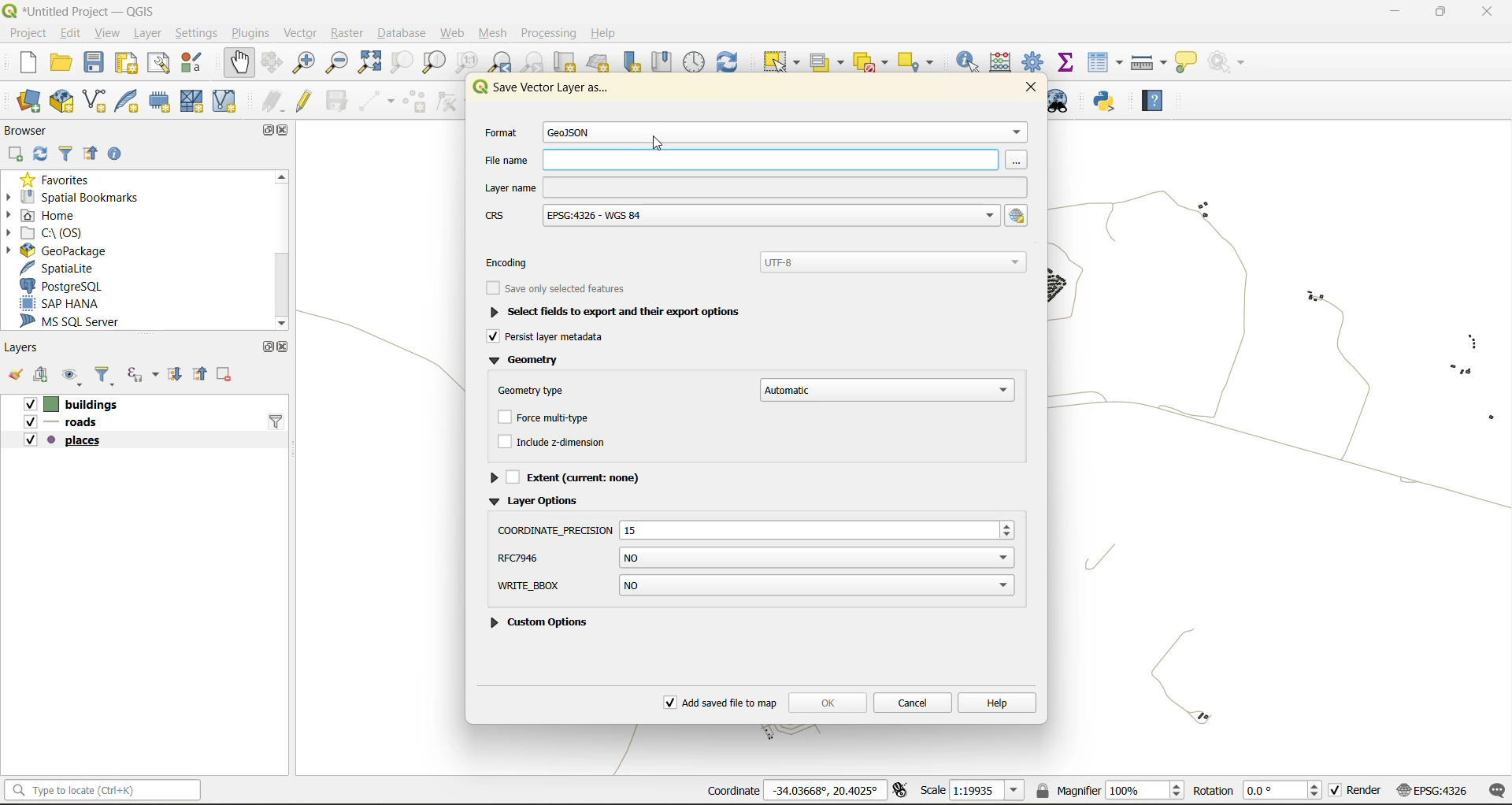 The width and height of the screenshot is (1512, 805). Describe the element at coordinates (1112, 789) in the screenshot. I see `magnifier` at that location.